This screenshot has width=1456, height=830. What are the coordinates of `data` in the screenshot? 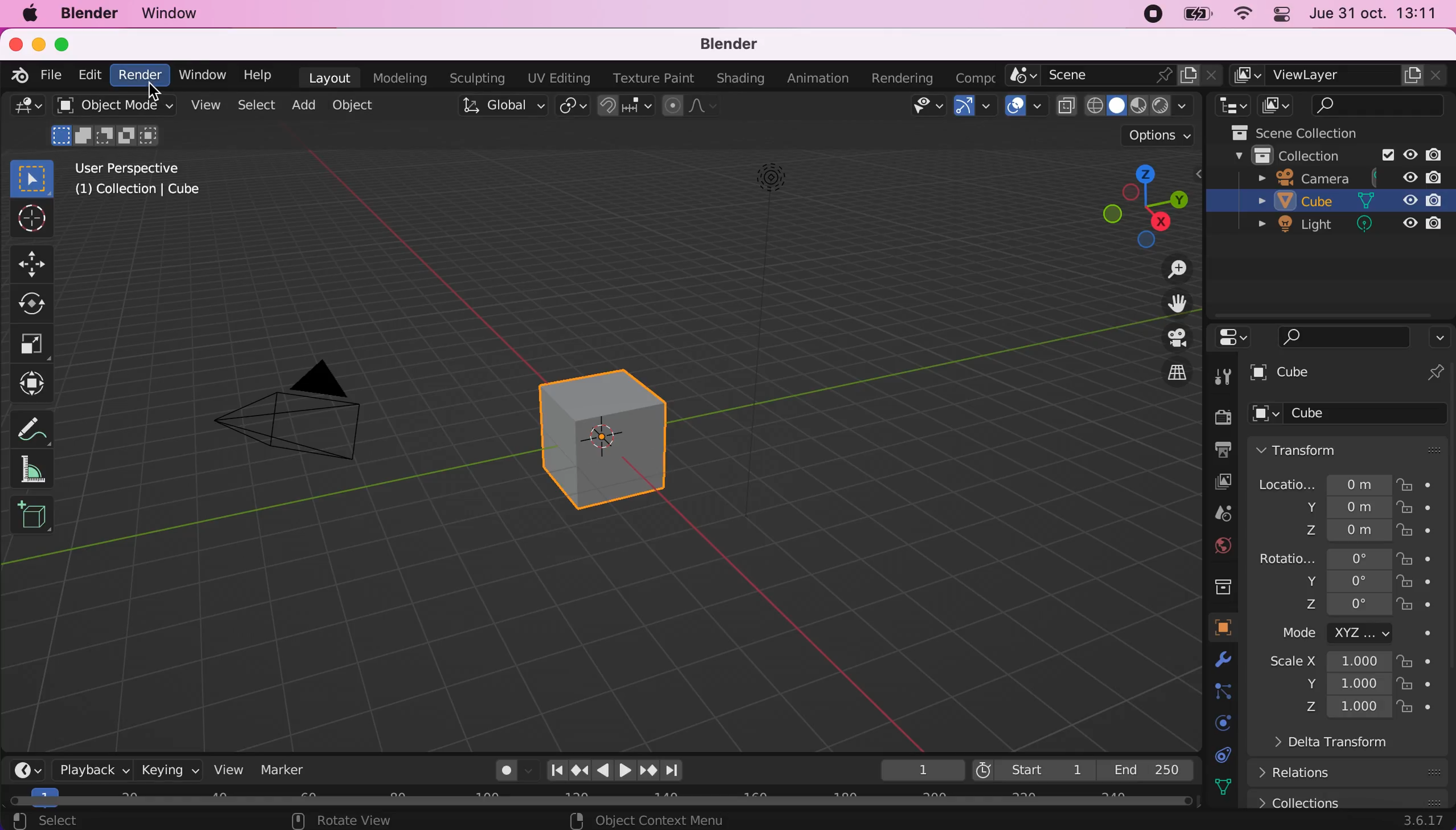 It's located at (1227, 755).